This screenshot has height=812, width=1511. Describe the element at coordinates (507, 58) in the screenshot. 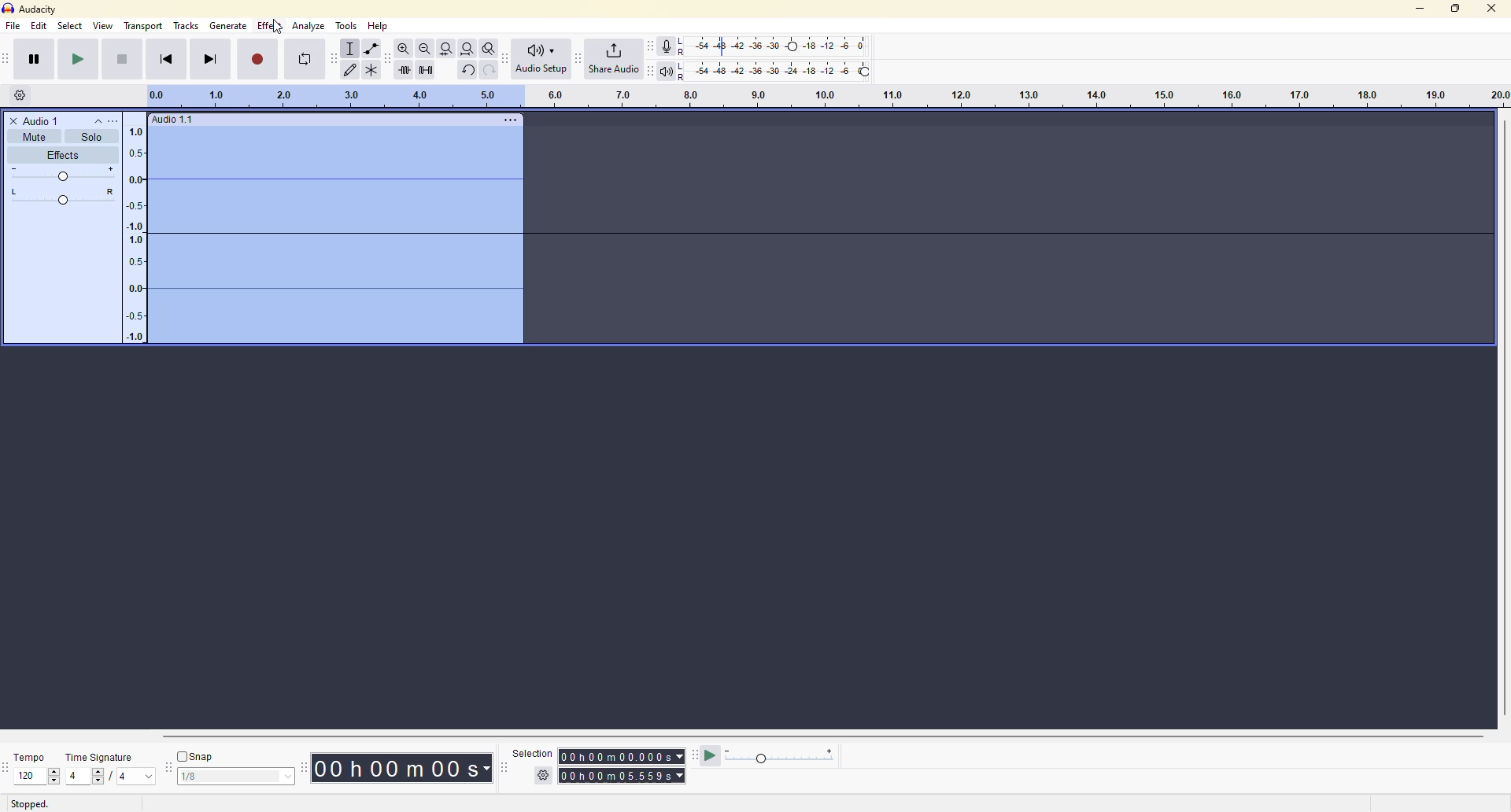

I see `audio setup toolbar` at that location.